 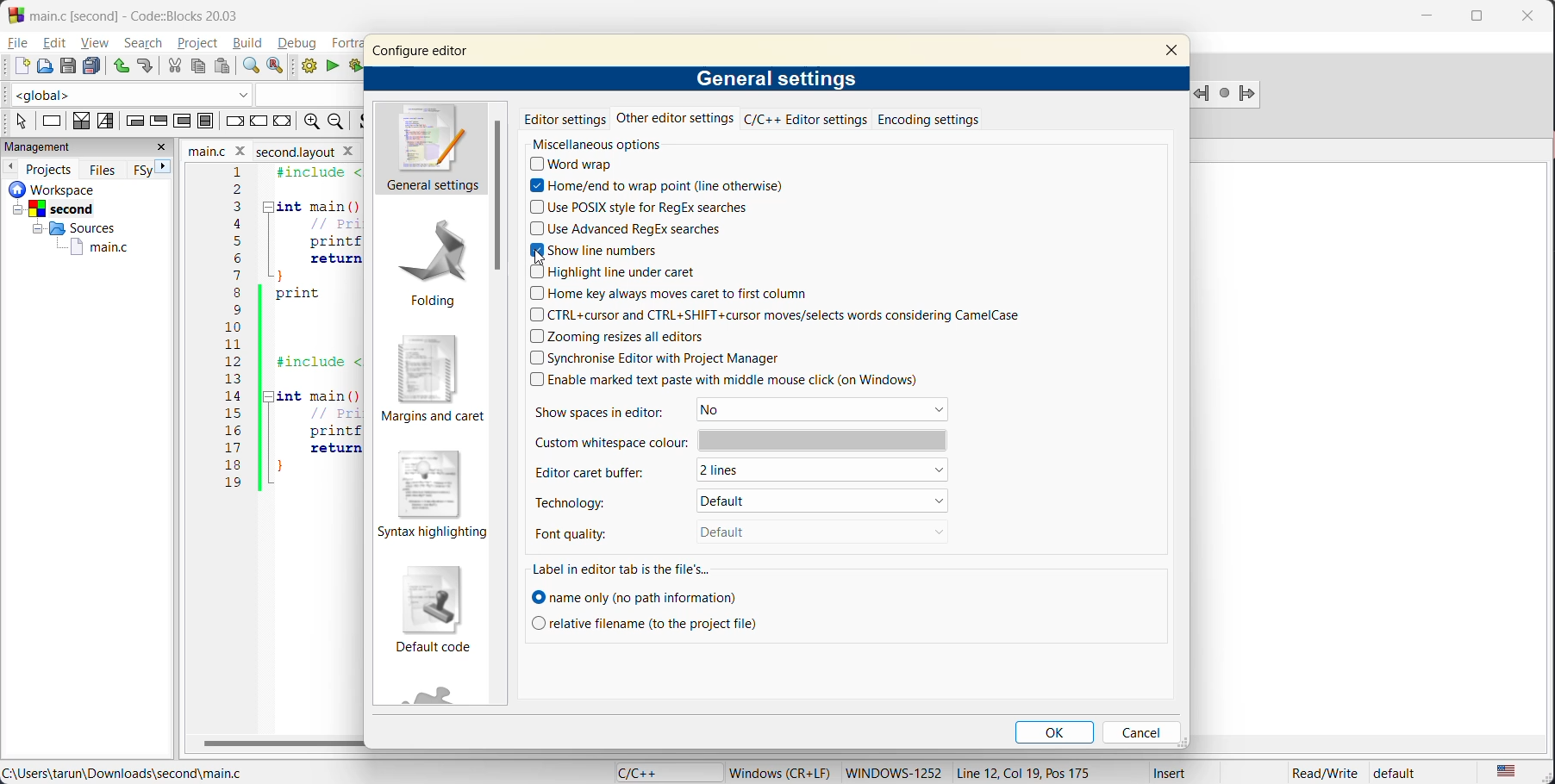 I want to click on Second, so click(x=76, y=208).